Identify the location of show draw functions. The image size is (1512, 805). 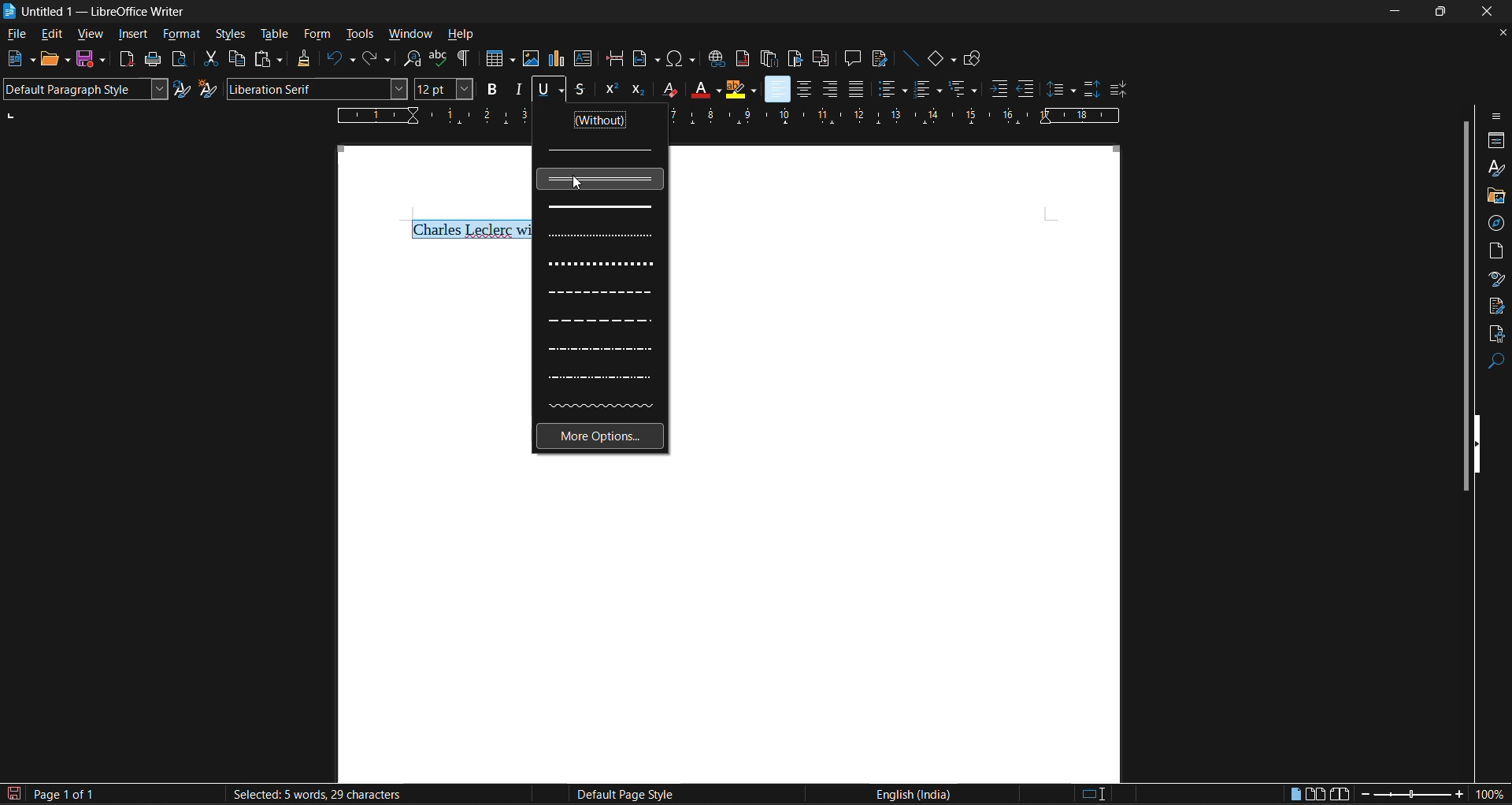
(975, 60).